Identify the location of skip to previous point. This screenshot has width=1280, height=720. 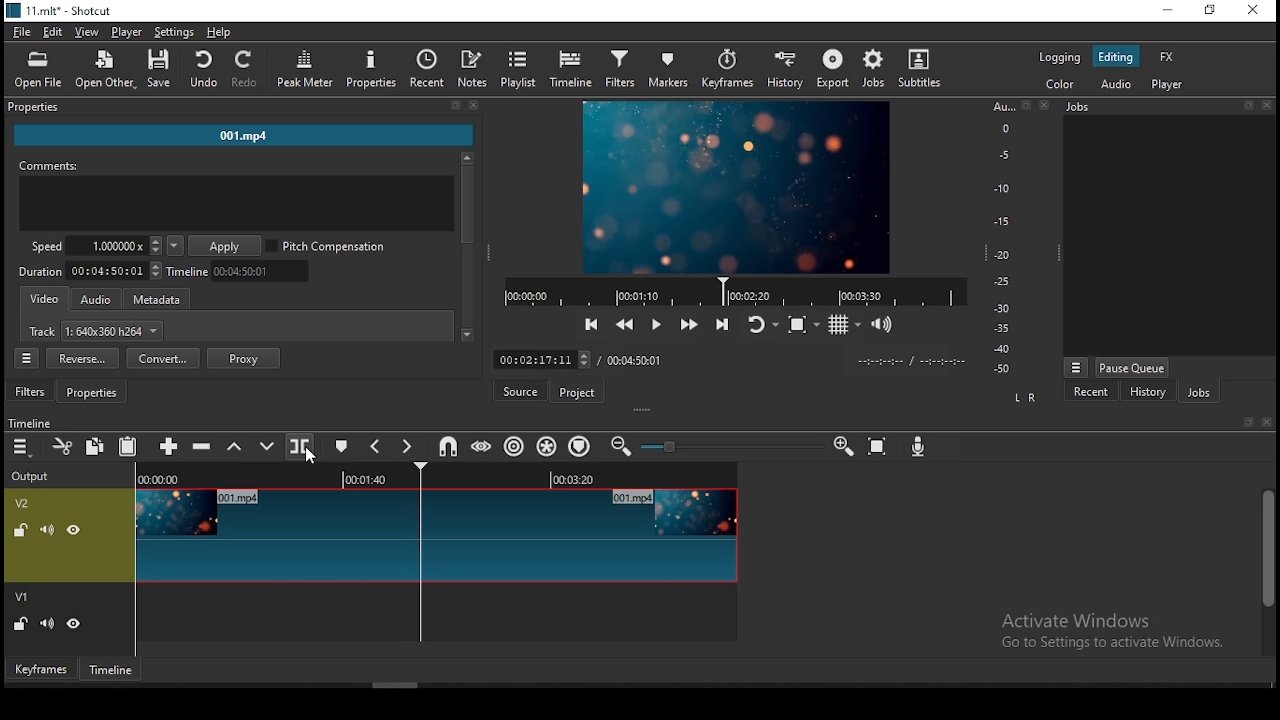
(591, 322).